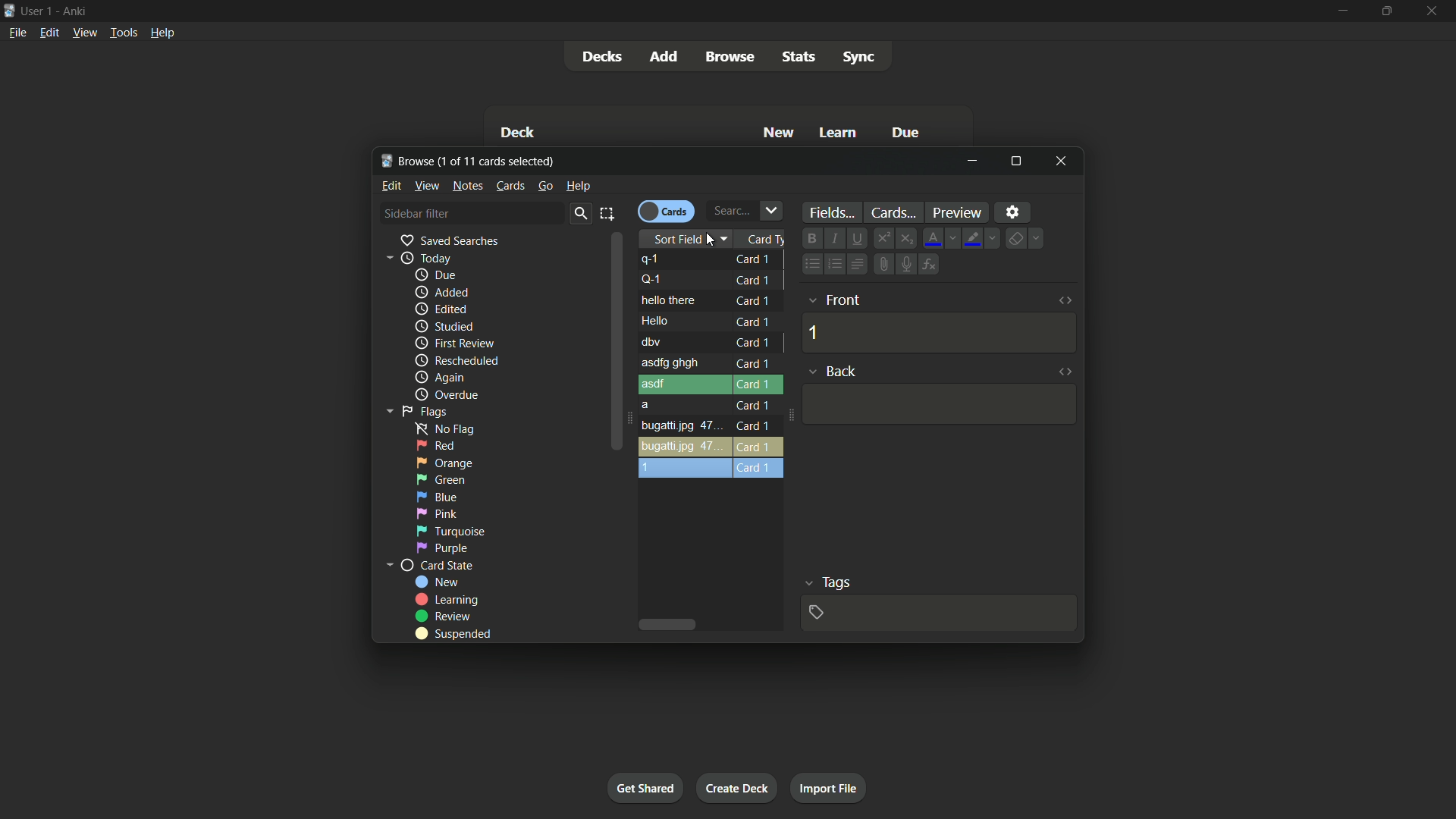  Describe the element at coordinates (855, 237) in the screenshot. I see `underline` at that location.